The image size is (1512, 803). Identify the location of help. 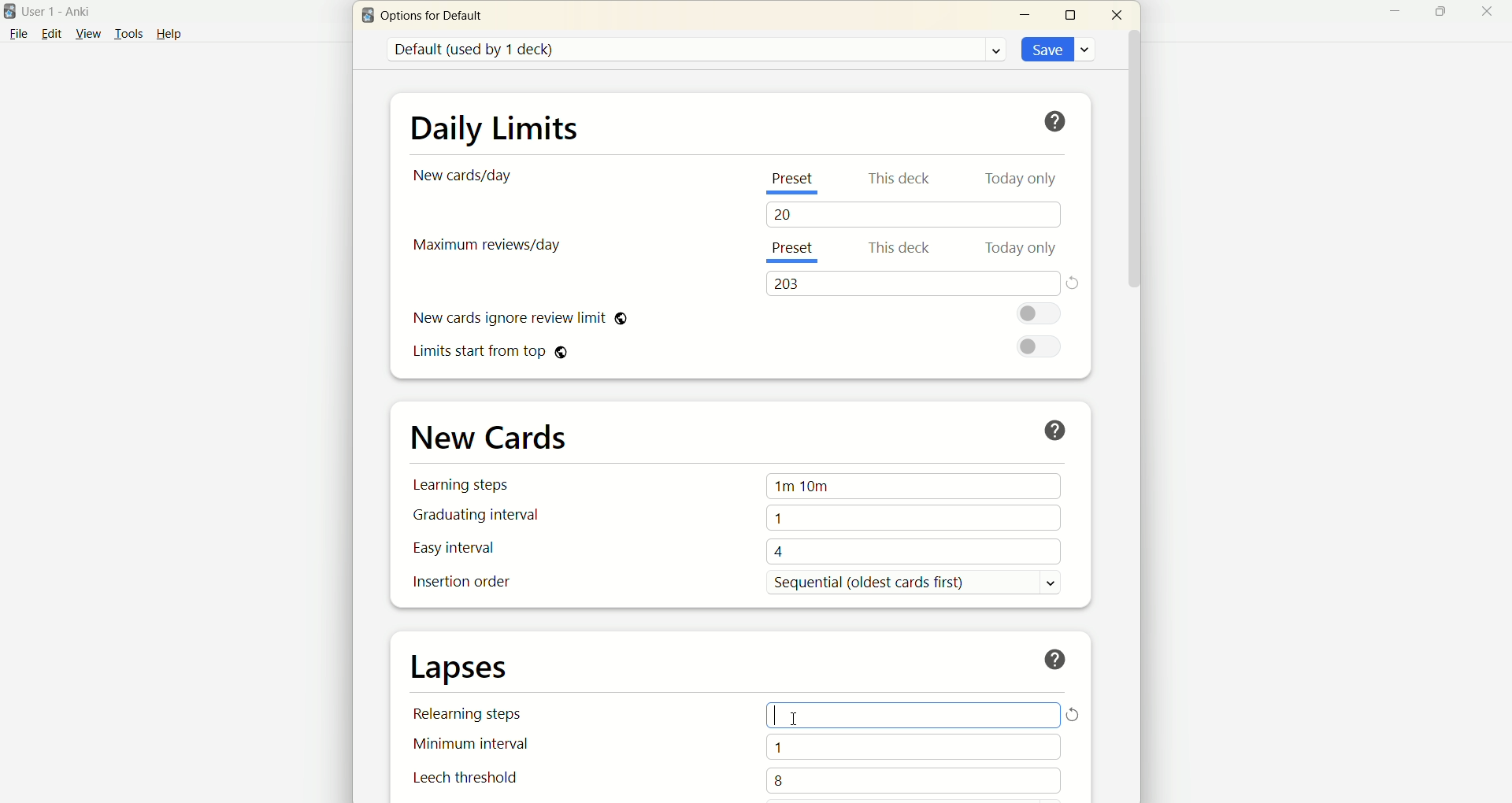
(178, 33).